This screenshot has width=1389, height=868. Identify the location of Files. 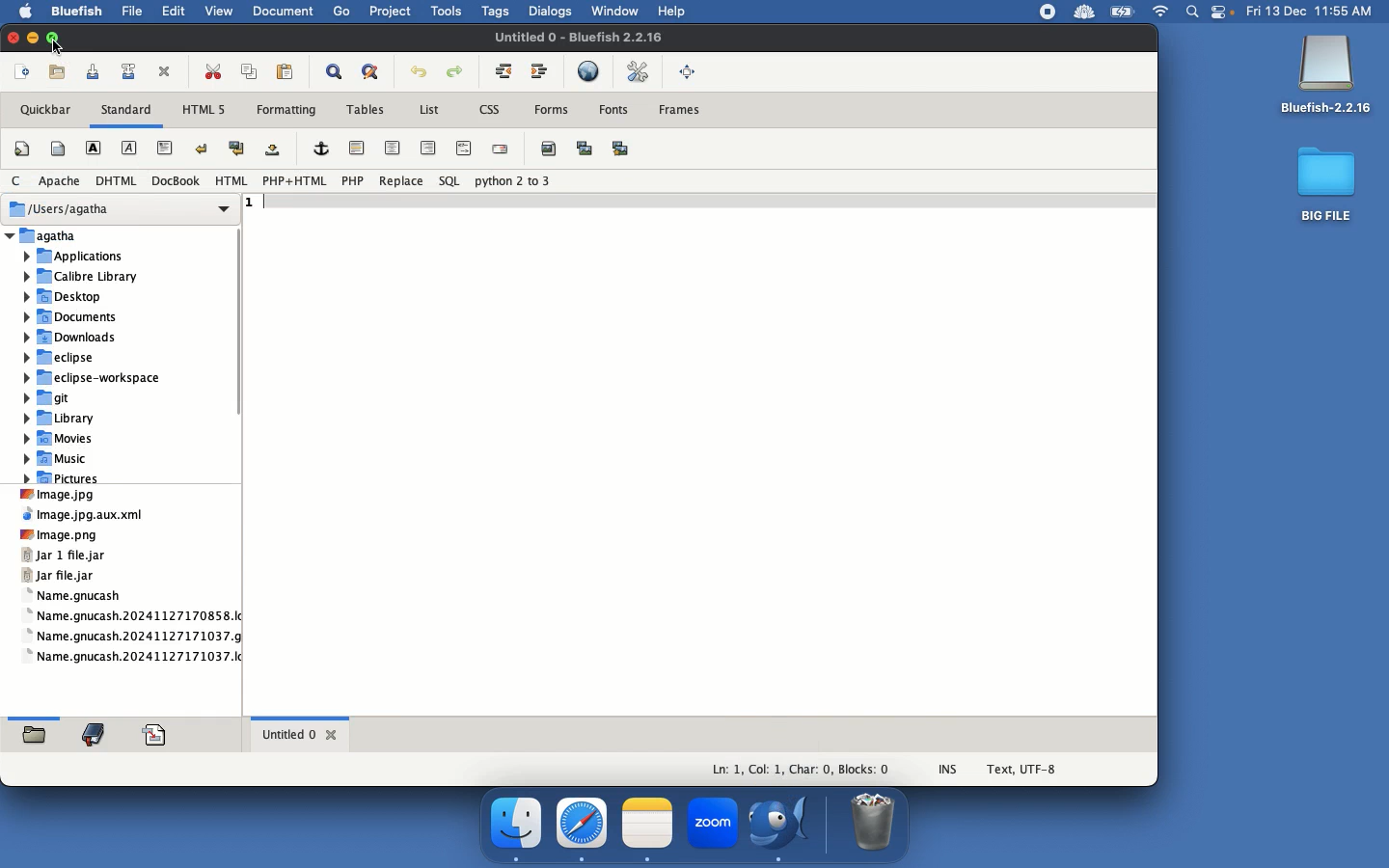
(132, 607).